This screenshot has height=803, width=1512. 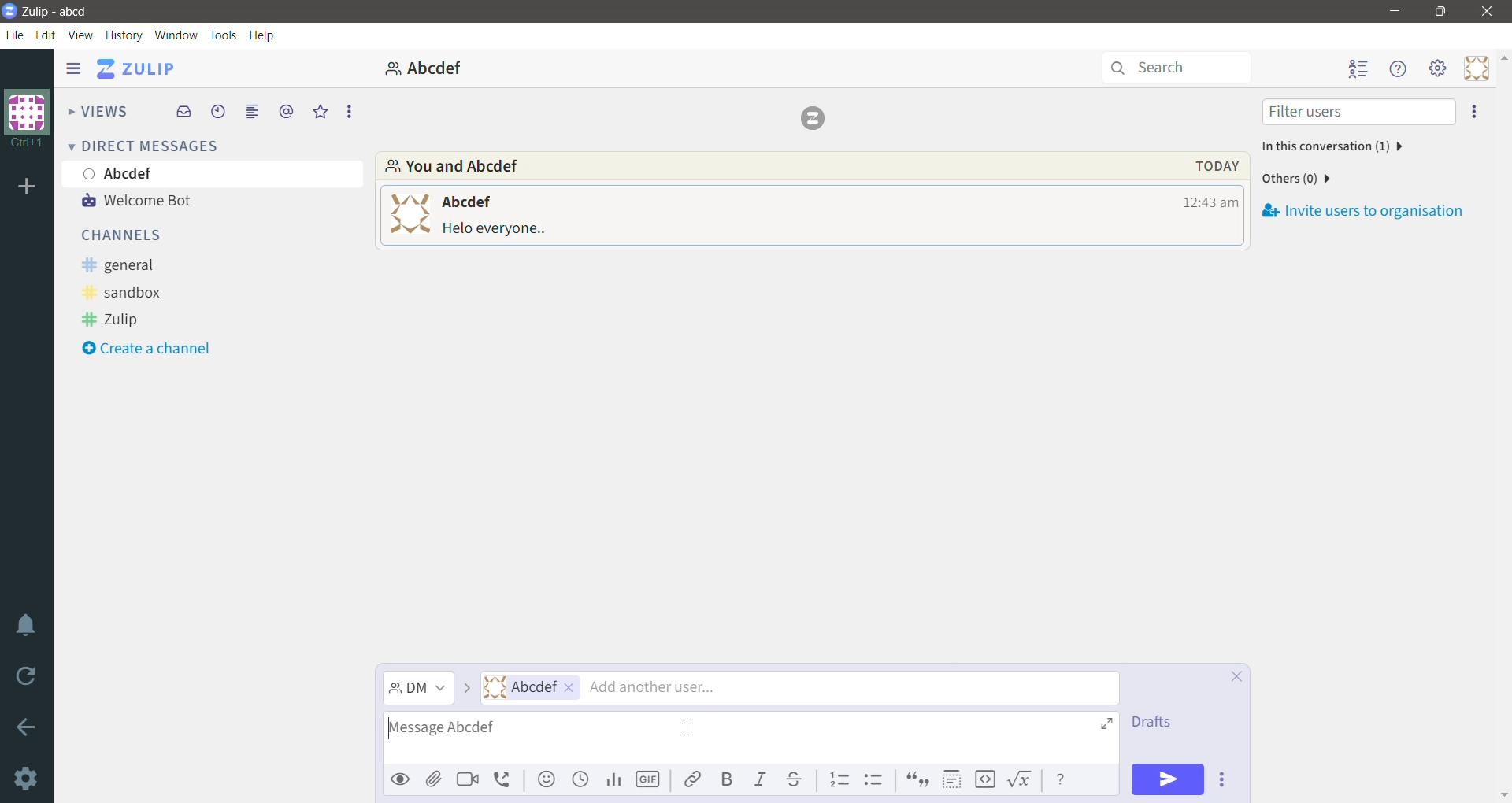 What do you see at coordinates (64, 9) in the screenshot?
I see `Application Name - Organization Name` at bounding box center [64, 9].